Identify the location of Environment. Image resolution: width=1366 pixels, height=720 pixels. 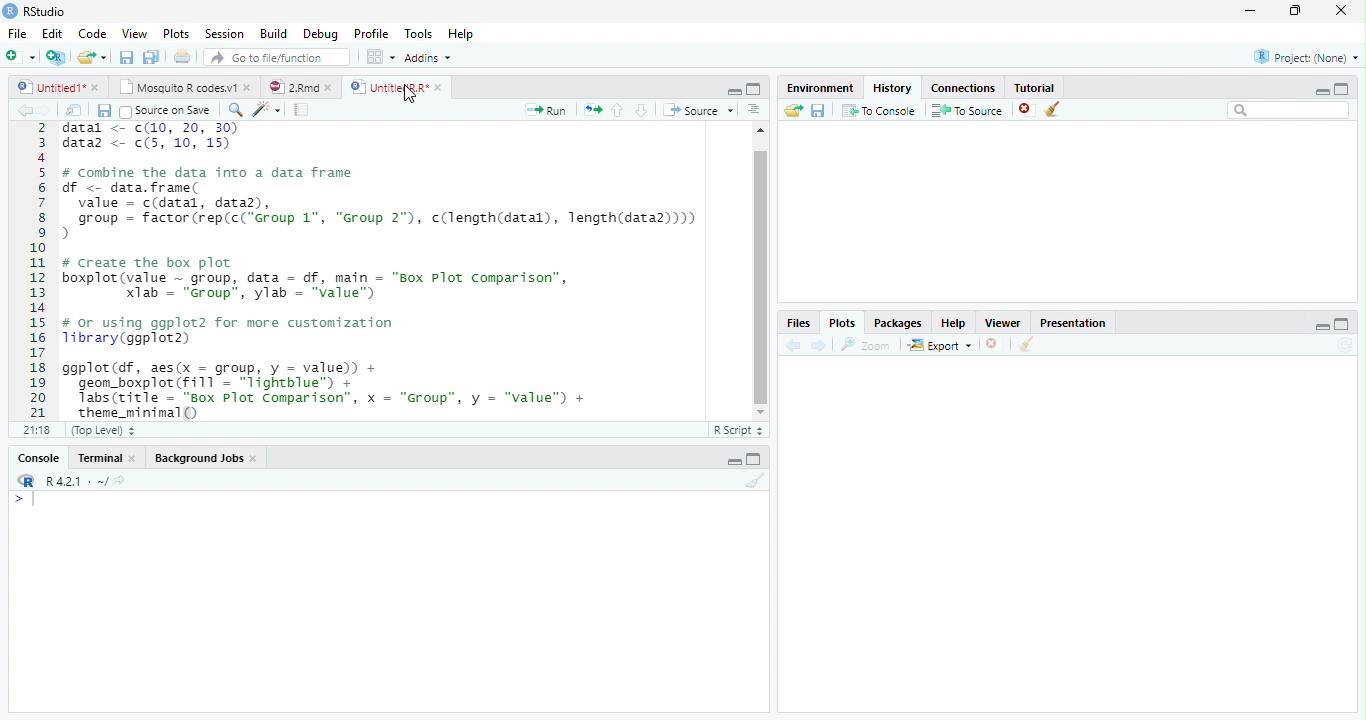
(821, 88).